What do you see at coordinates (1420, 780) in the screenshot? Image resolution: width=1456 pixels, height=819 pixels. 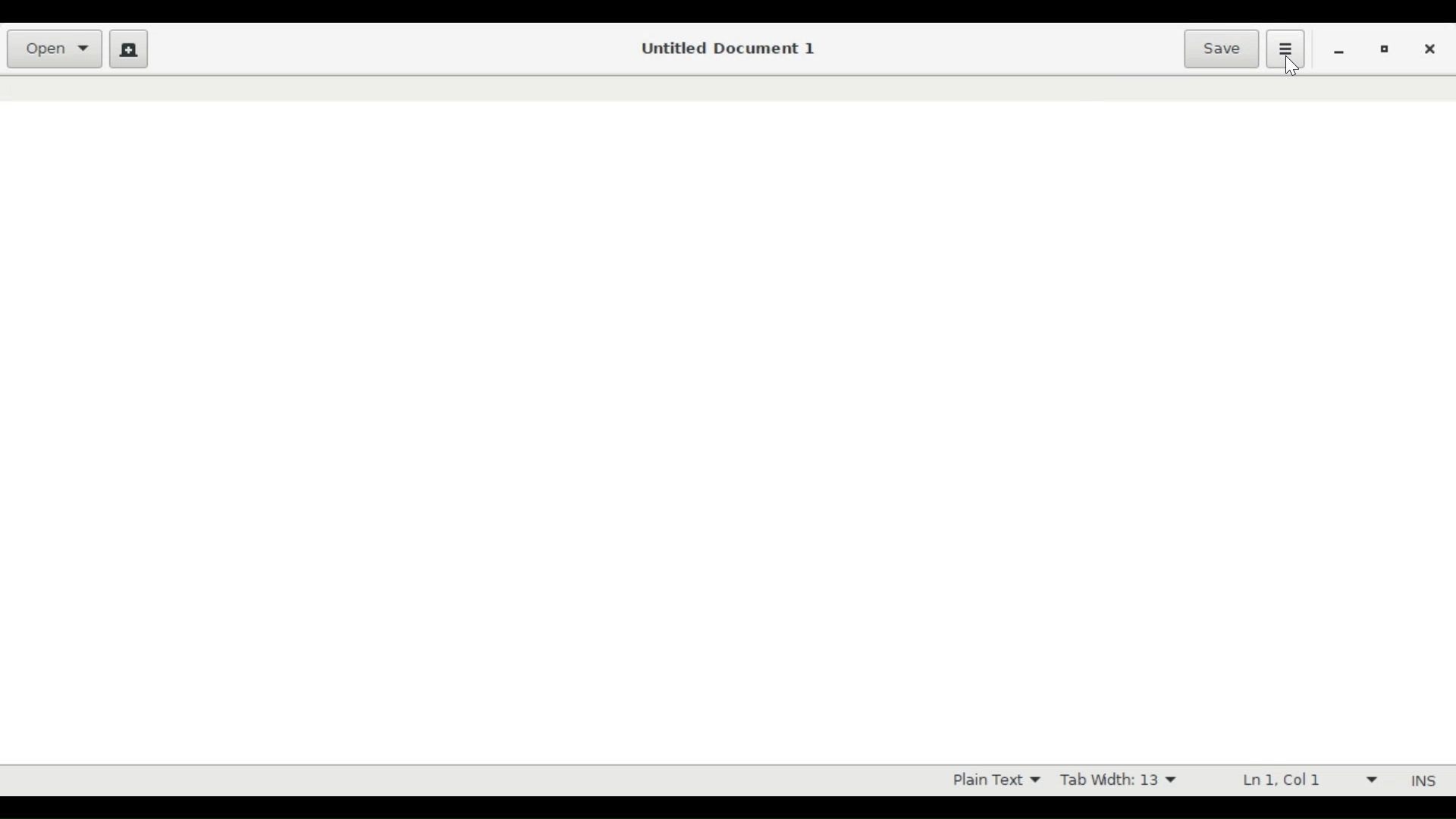 I see `INS` at bounding box center [1420, 780].